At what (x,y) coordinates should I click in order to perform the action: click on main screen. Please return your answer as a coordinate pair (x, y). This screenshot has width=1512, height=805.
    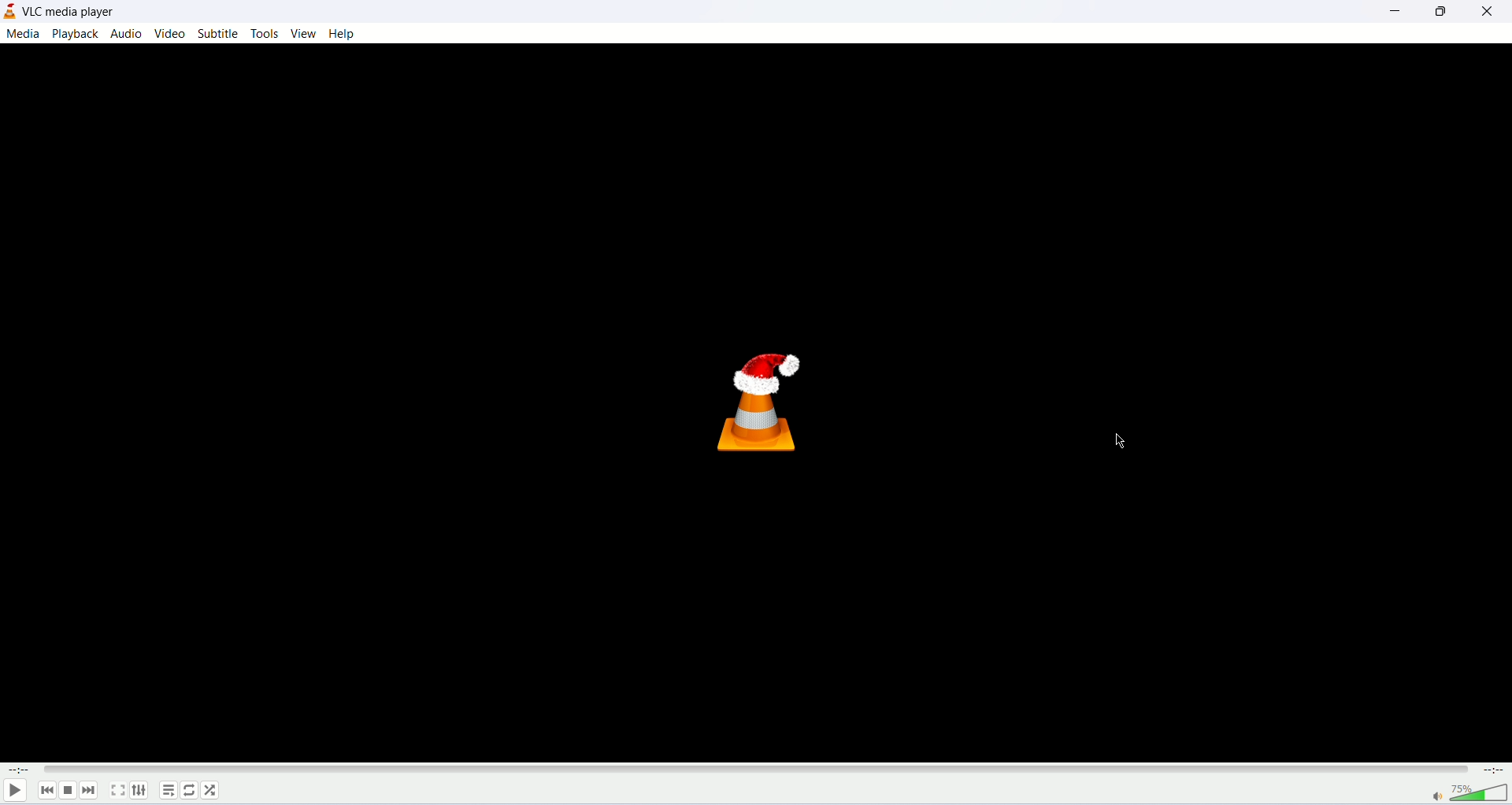
    Looking at the image, I should click on (758, 405).